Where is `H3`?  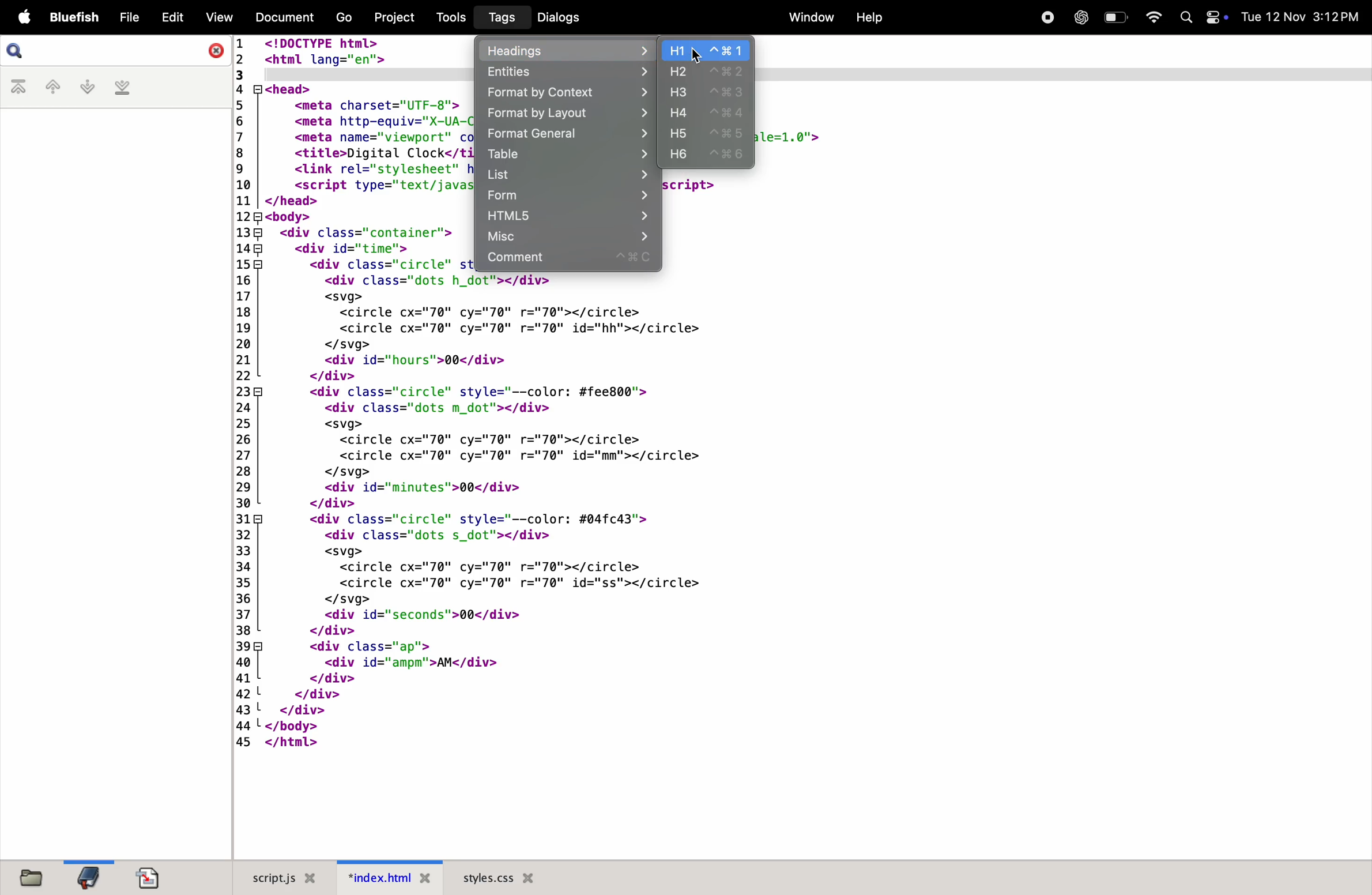 H3 is located at coordinates (707, 92).